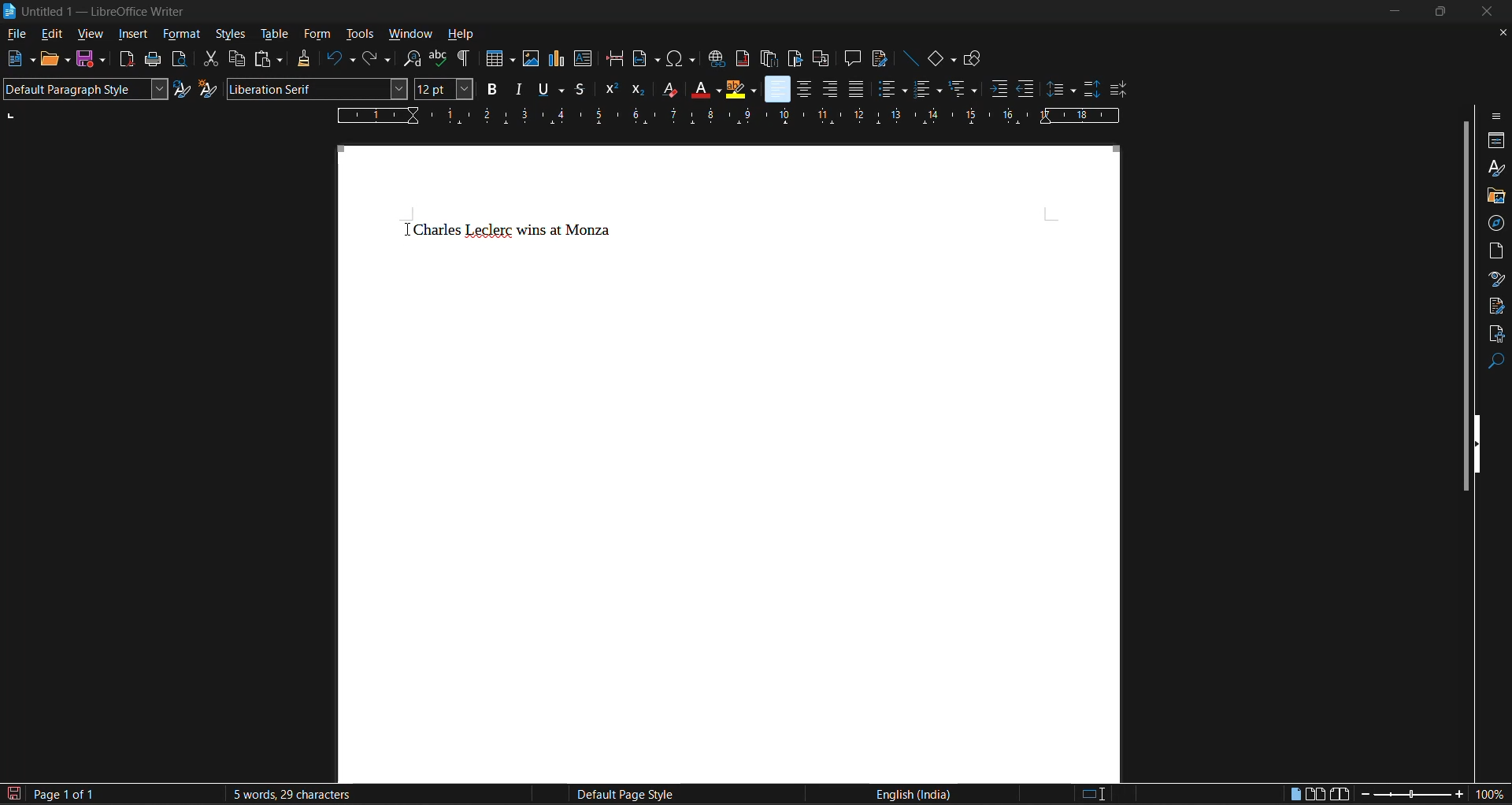 This screenshot has height=805, width=1512. I want to click on insert endnote, so click(767, 58).